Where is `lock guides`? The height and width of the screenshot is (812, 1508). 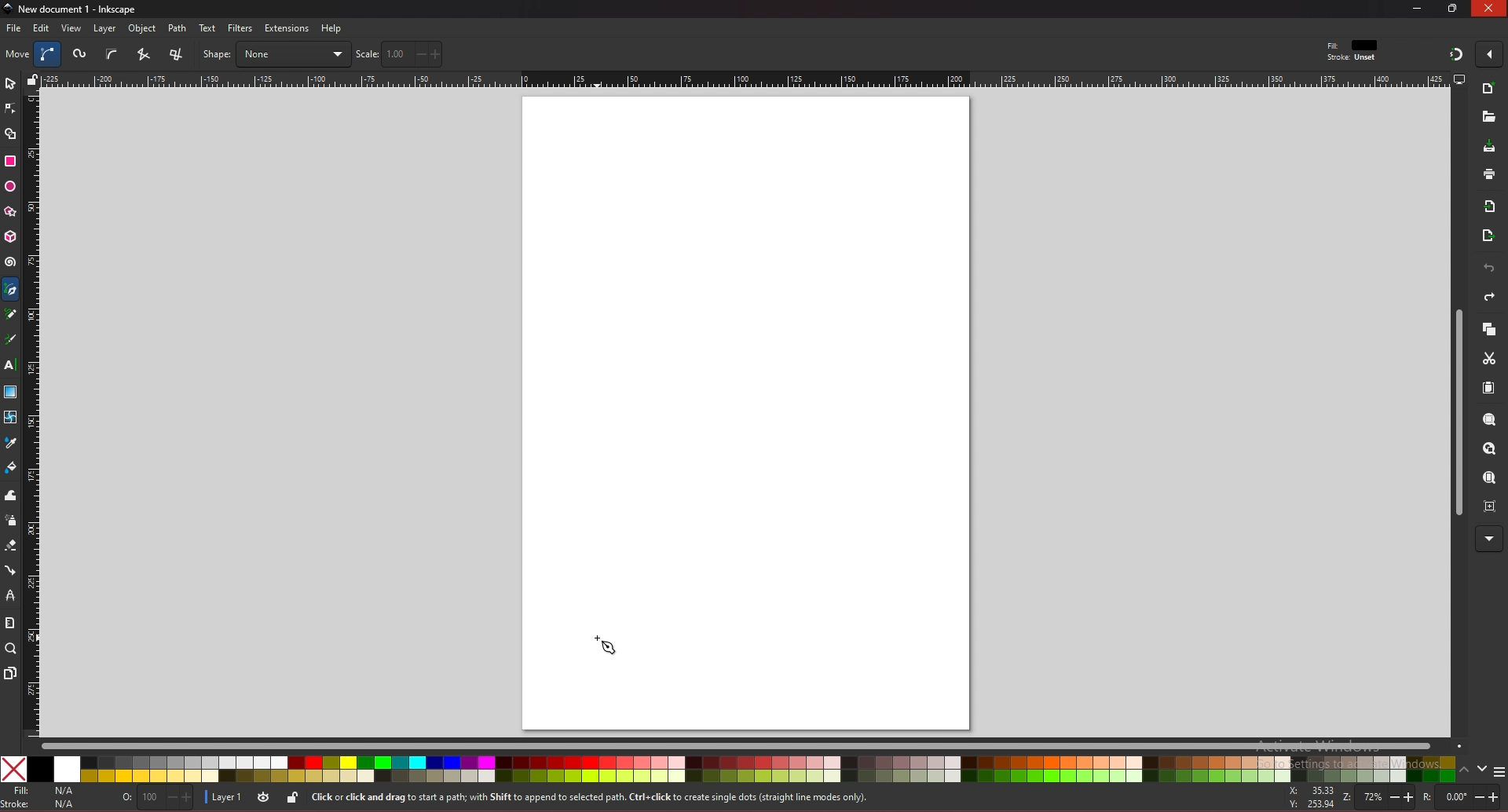 lock guides is located at coordinates (32, 79).